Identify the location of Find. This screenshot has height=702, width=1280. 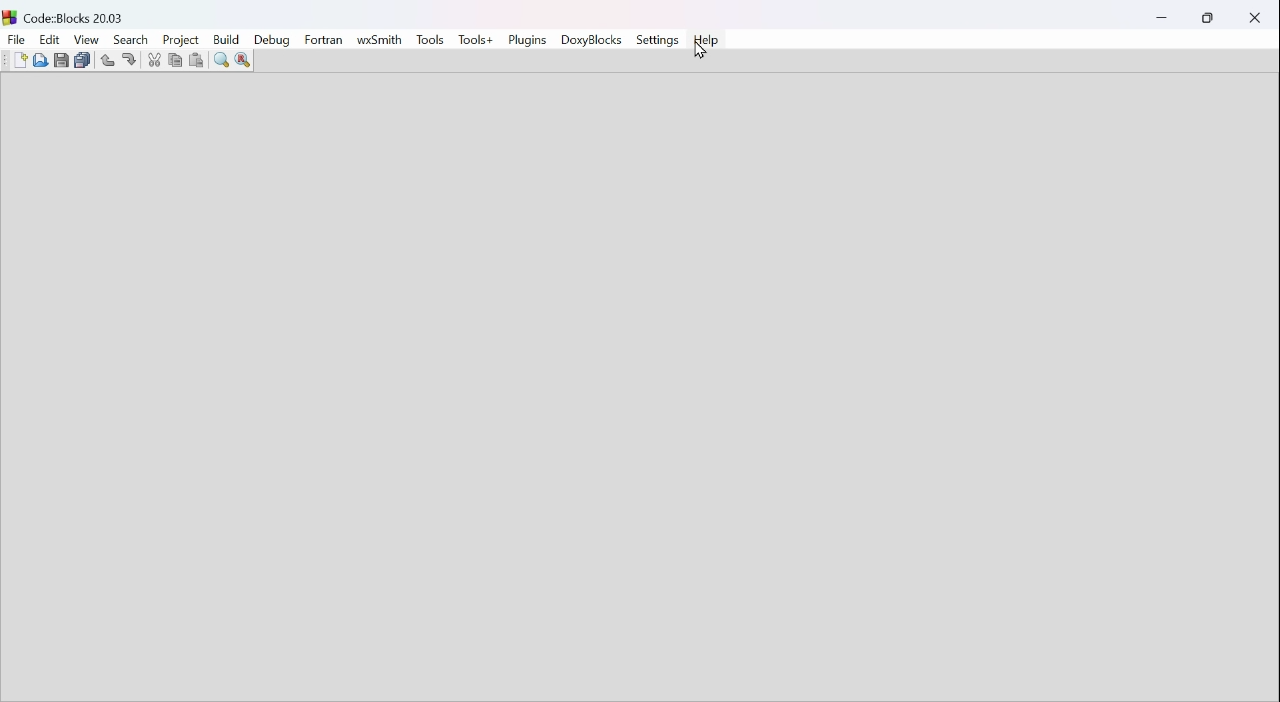
(218, 60).